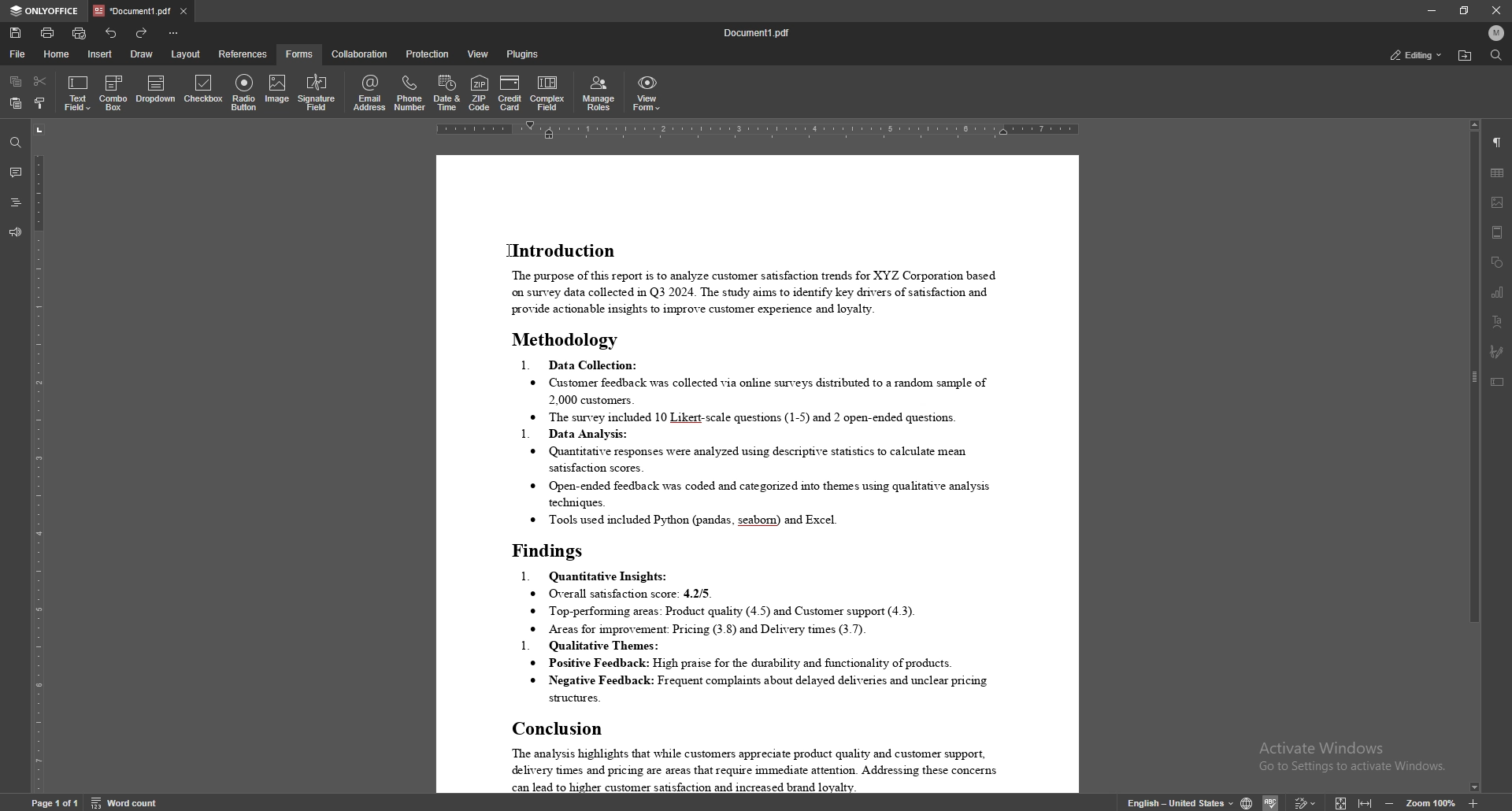  Describe the element at coordinates (173, 33) in the screenshot. I see `customize toolbar` at that location.